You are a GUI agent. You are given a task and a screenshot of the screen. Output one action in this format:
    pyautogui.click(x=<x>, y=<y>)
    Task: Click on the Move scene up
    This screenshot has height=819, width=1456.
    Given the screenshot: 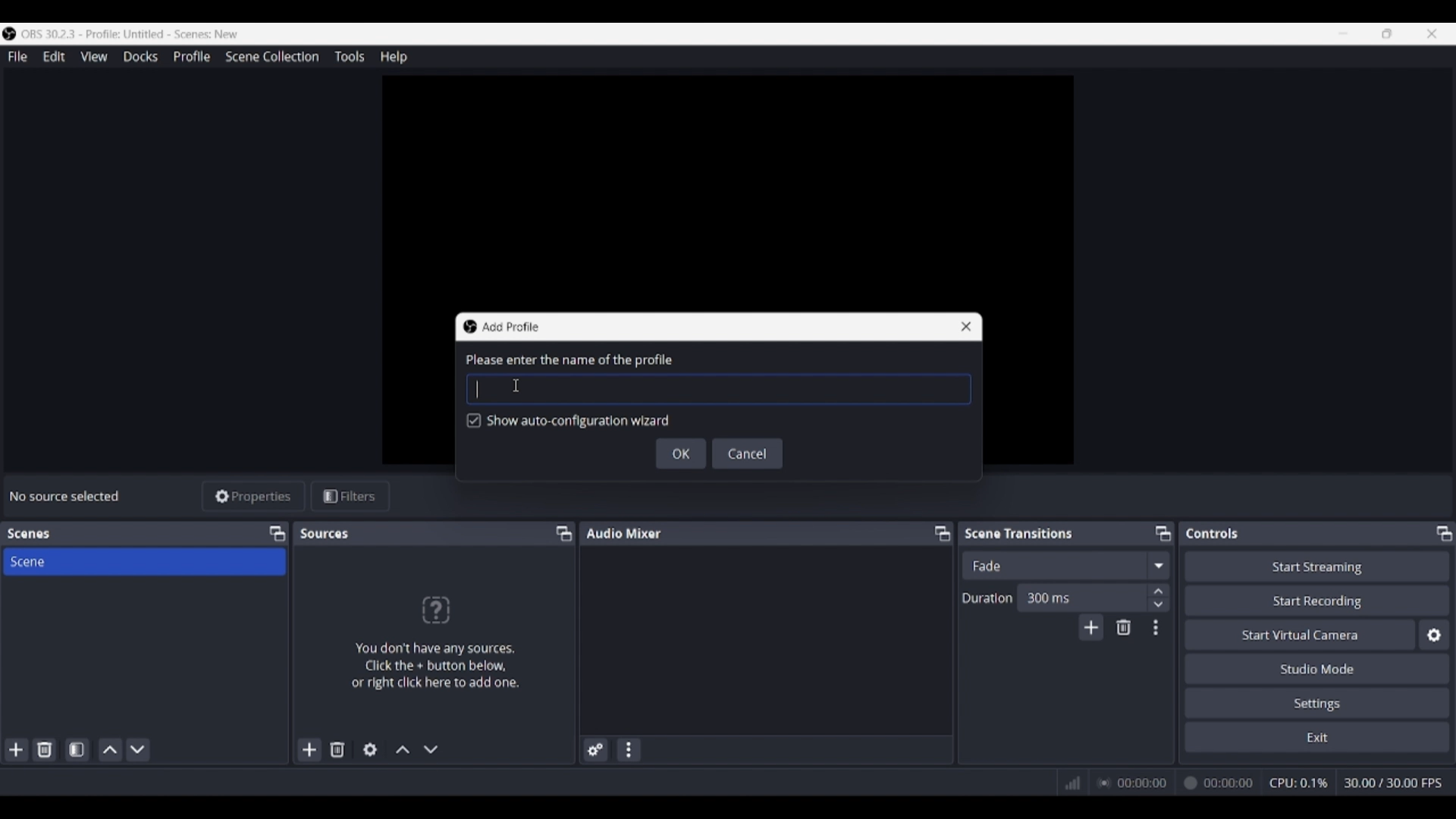 What is the action you would take?
    pyautogui.click(x=111, y=750)
    